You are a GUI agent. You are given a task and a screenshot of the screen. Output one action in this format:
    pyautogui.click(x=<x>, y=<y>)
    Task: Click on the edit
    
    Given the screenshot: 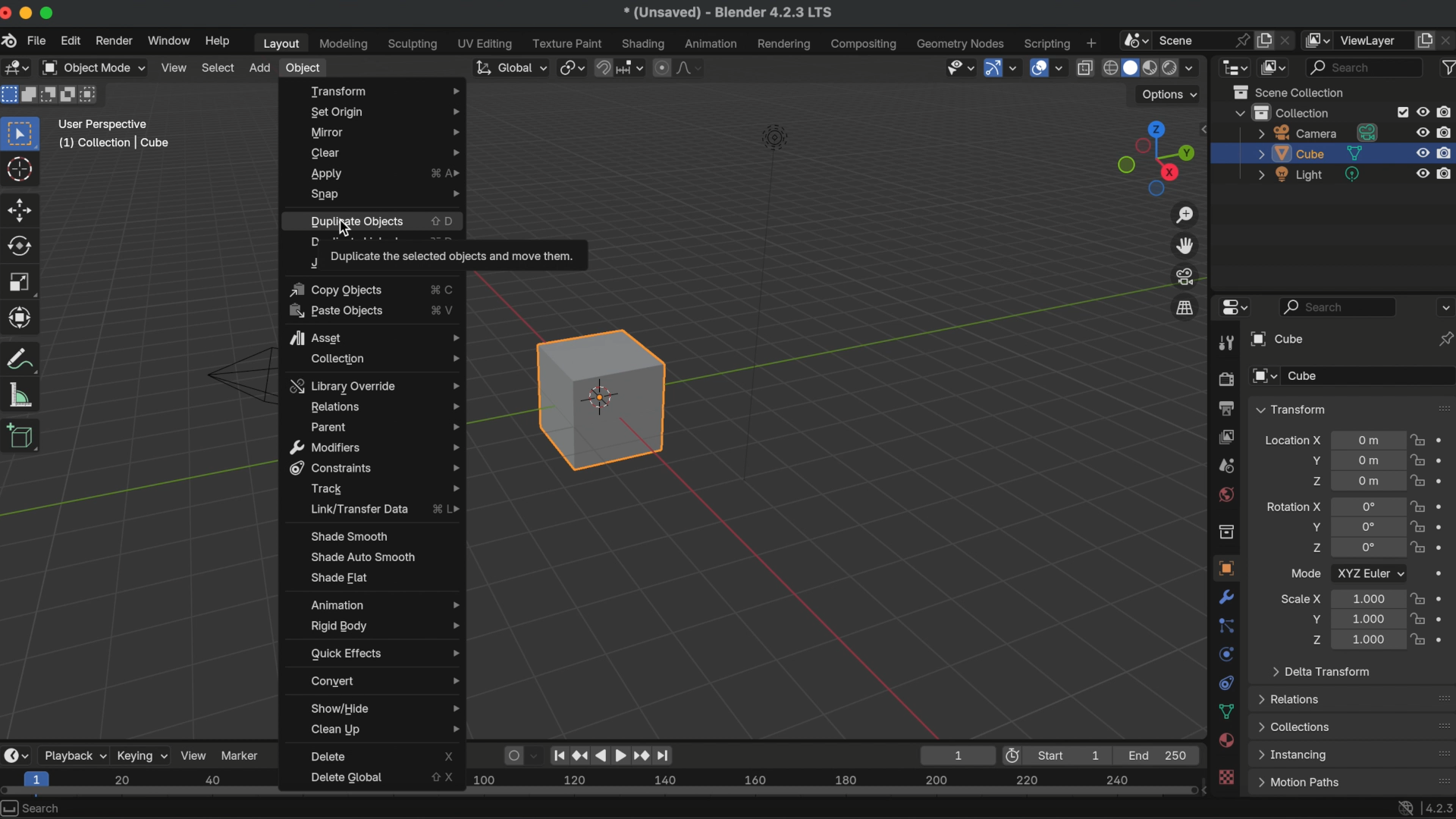 What is the action you would take?
    pyautogui.click(x=71, y=42)
    